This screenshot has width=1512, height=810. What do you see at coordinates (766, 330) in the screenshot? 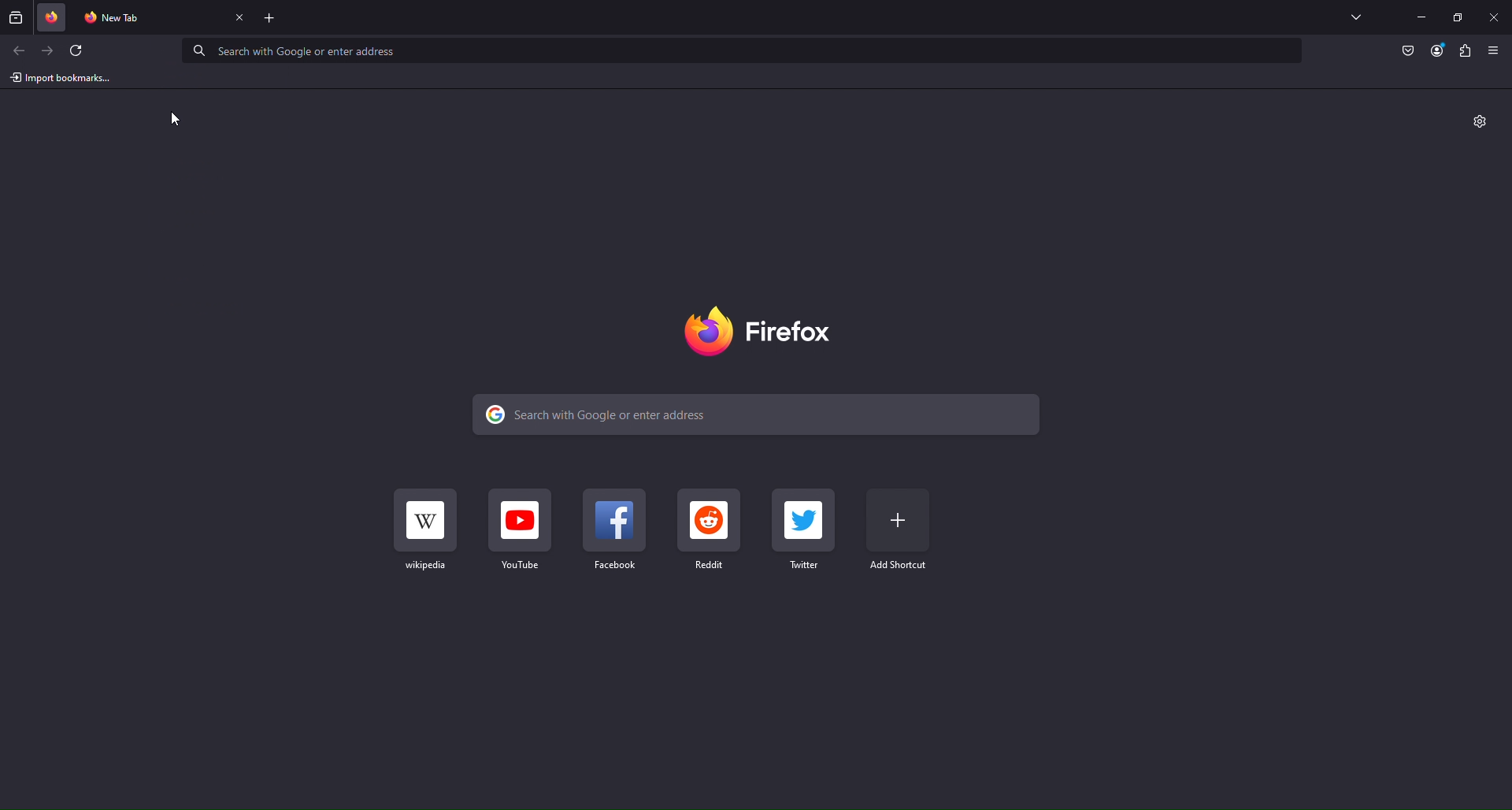
I see `Logo` at bounding box center [766, 330].